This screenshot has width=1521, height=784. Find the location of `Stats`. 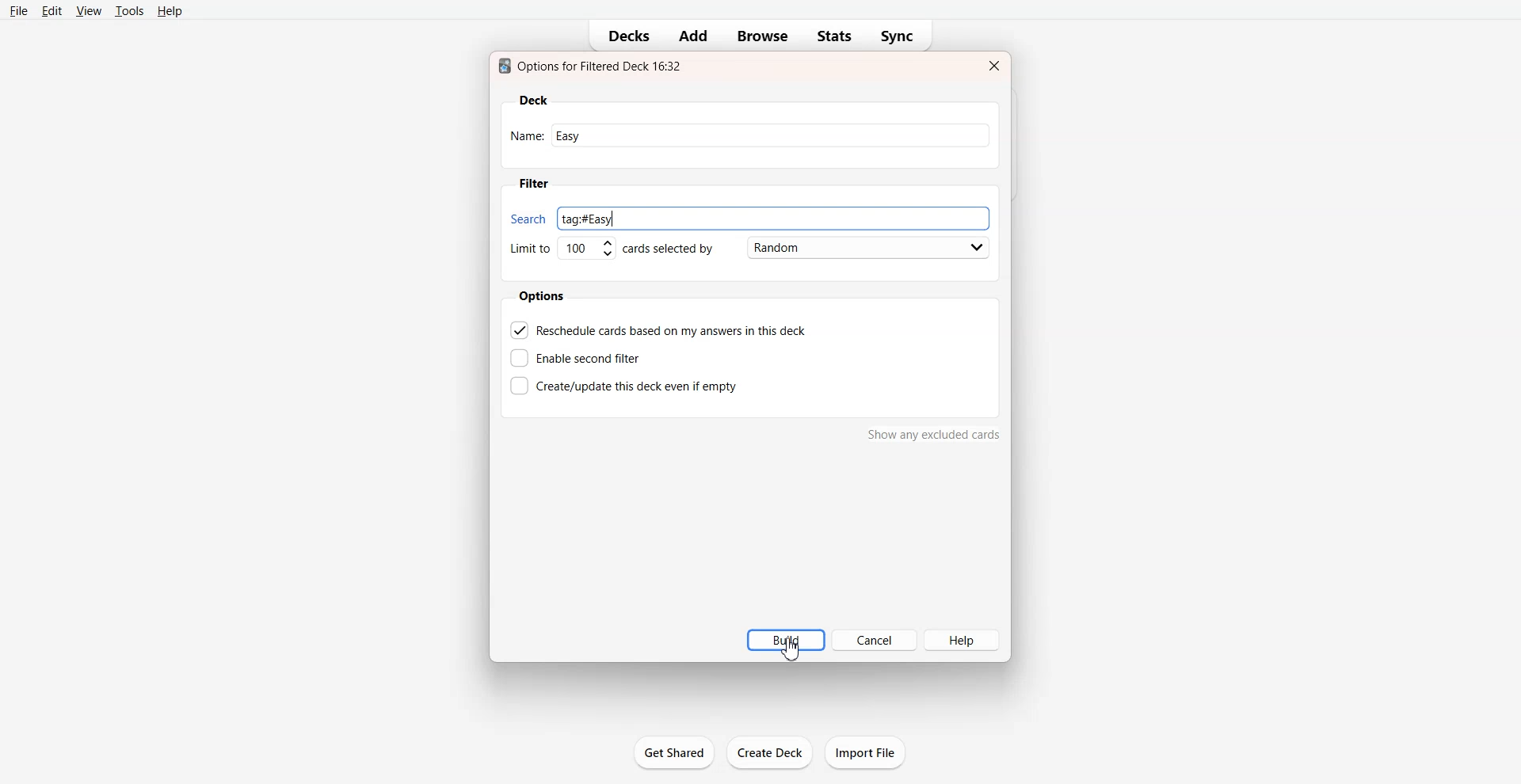

Stats is located at coordinates (834, 36).